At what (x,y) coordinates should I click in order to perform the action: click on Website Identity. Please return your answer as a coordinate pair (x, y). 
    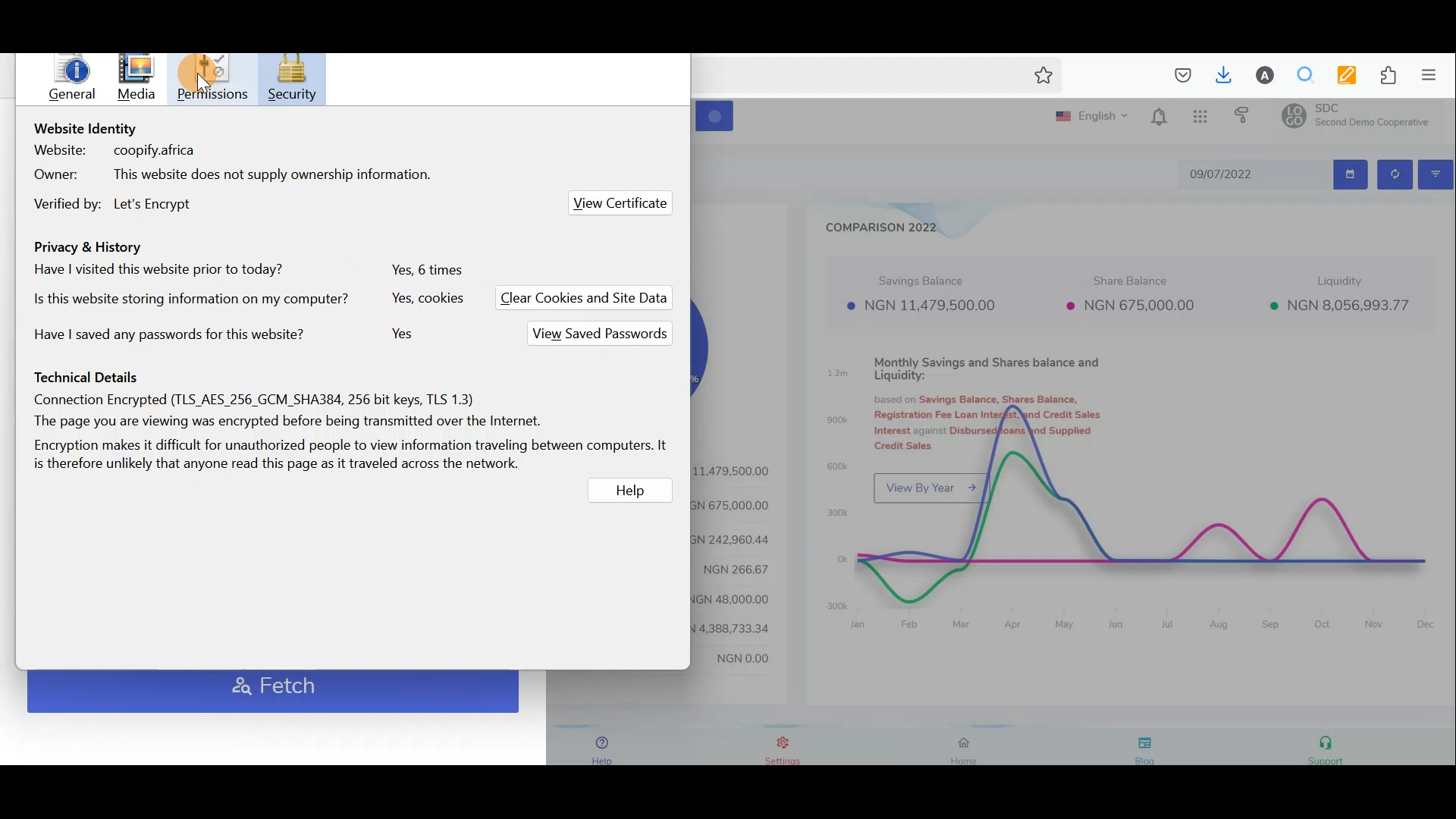
    Looking at the image, I should click on (243, 170).